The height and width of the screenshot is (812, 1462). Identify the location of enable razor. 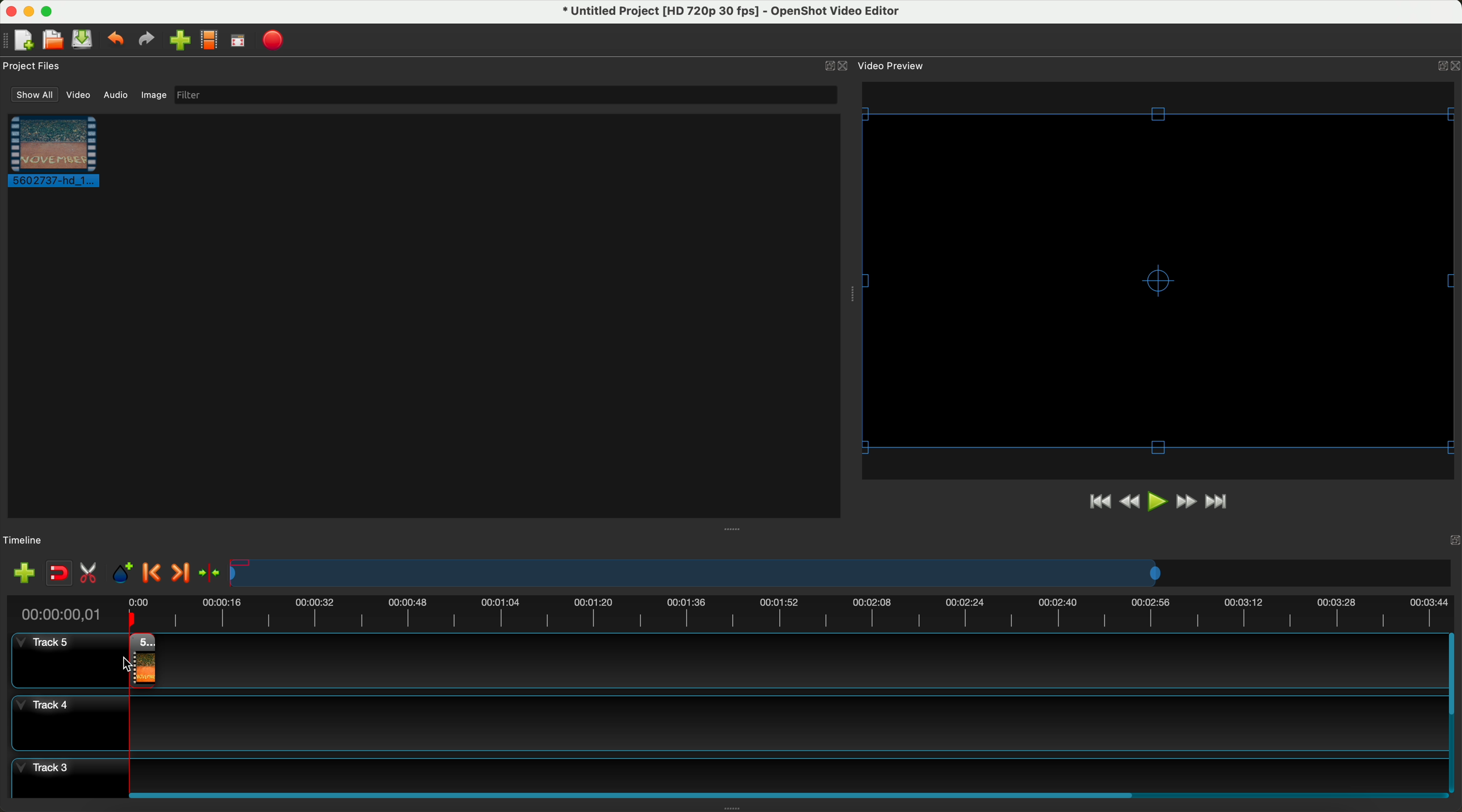
(91, 574).